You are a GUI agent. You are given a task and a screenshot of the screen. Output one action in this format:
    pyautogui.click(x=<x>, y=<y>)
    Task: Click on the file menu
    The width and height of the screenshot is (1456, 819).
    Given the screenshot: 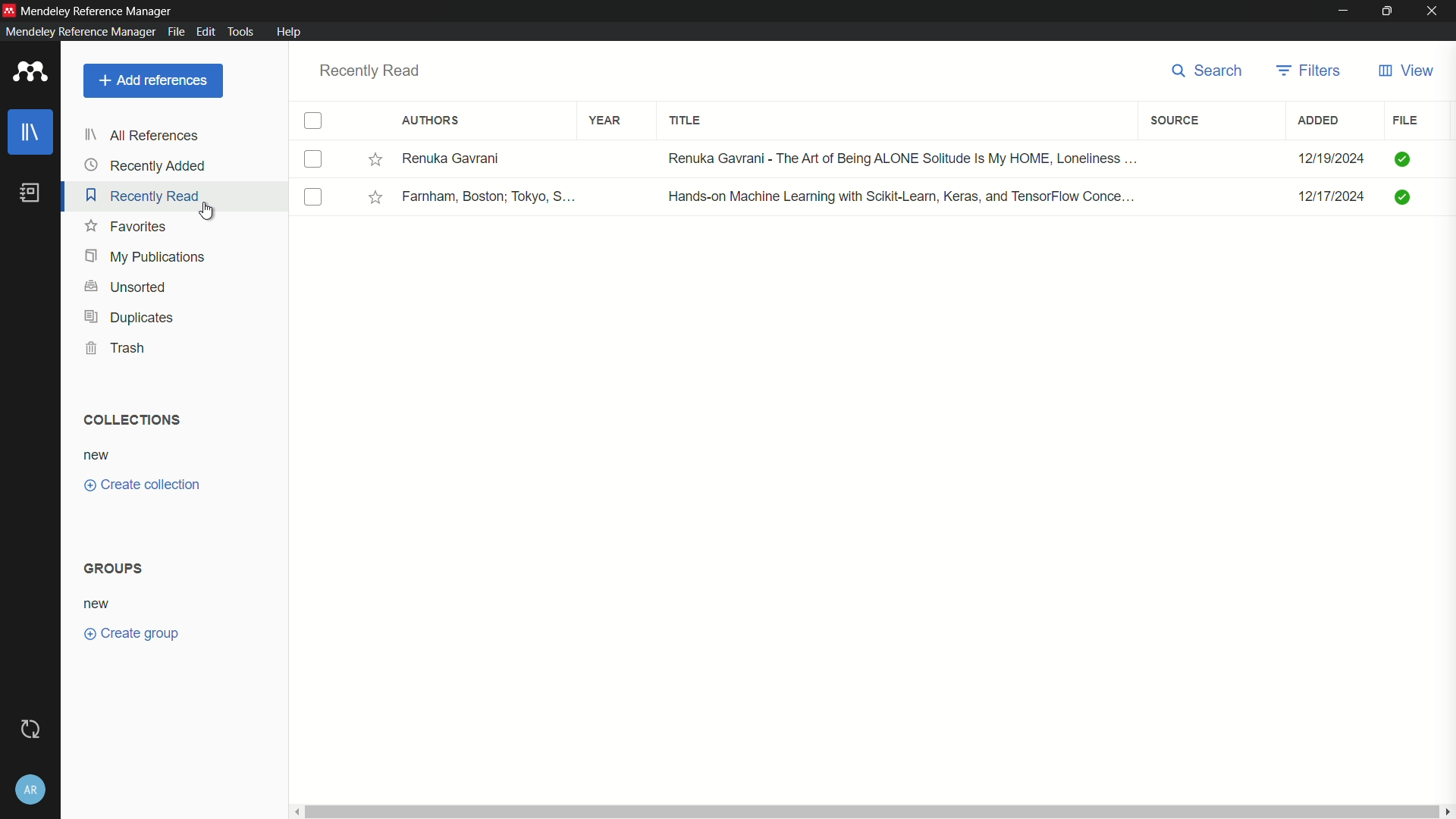 What is the action you would take?
    pyautogui.click(x=177, y=33)
    